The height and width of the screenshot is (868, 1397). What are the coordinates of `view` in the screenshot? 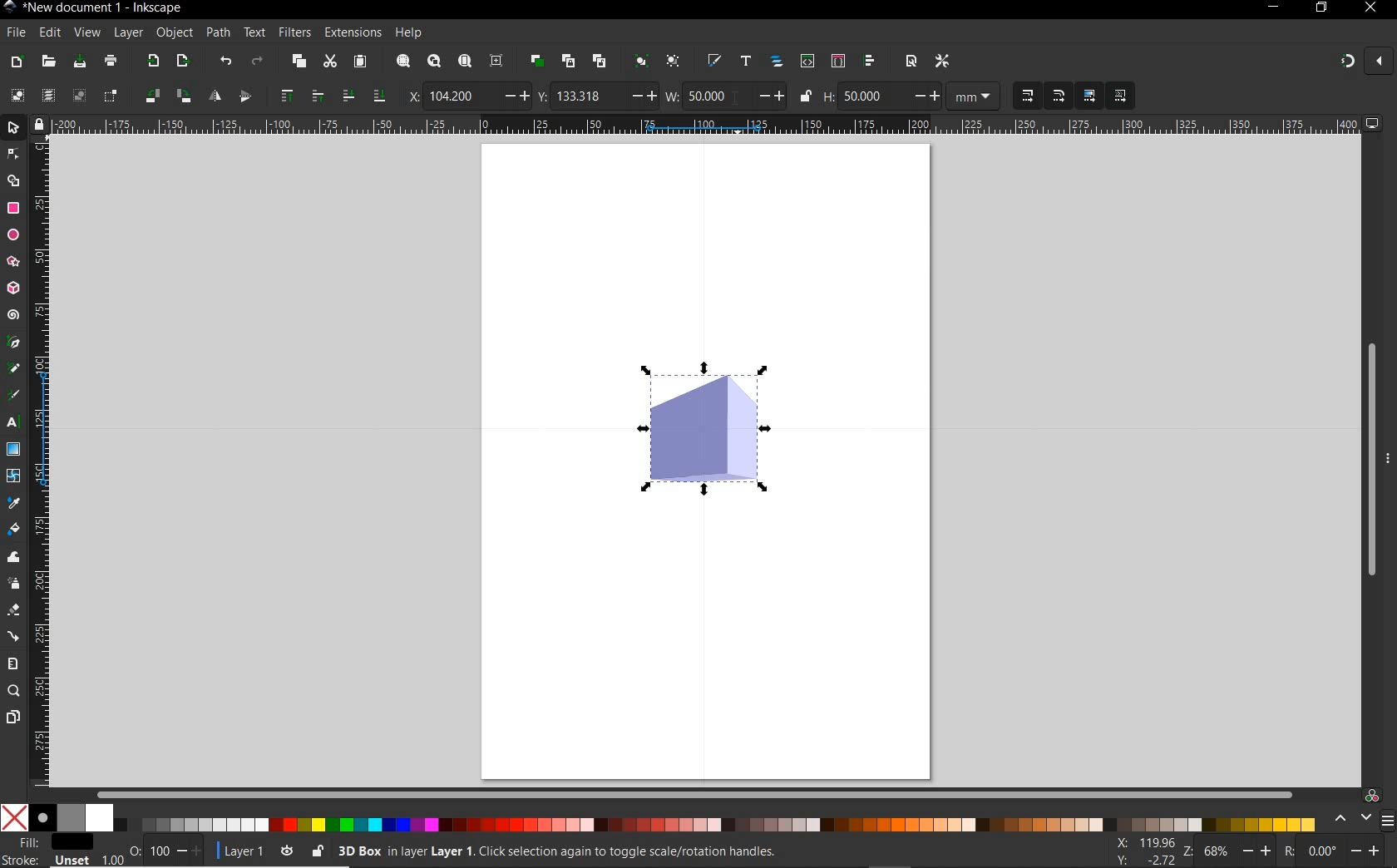 It's located at (86, 33).